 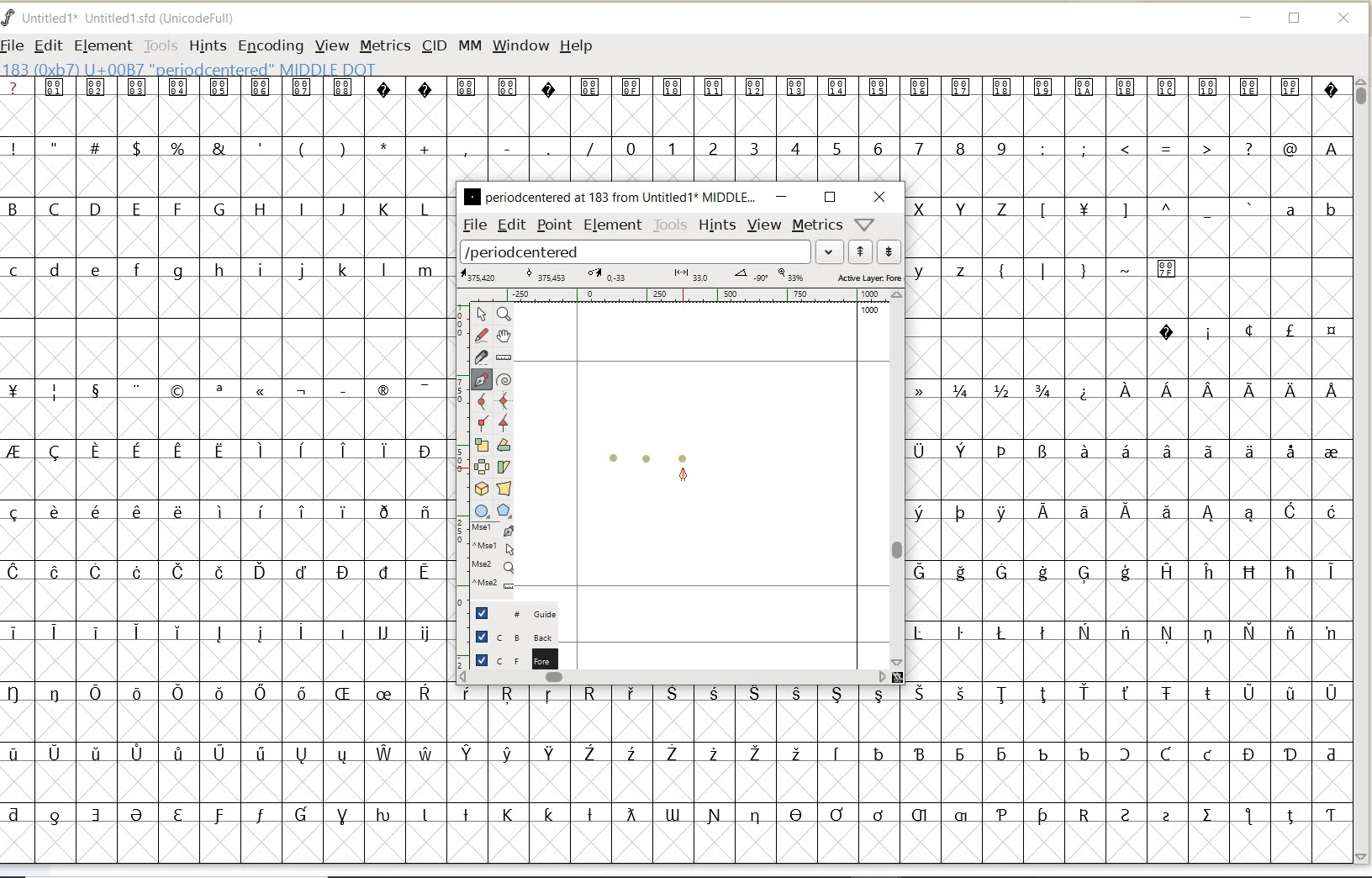 I want to click on special characters, so click(x=1193, y=149).